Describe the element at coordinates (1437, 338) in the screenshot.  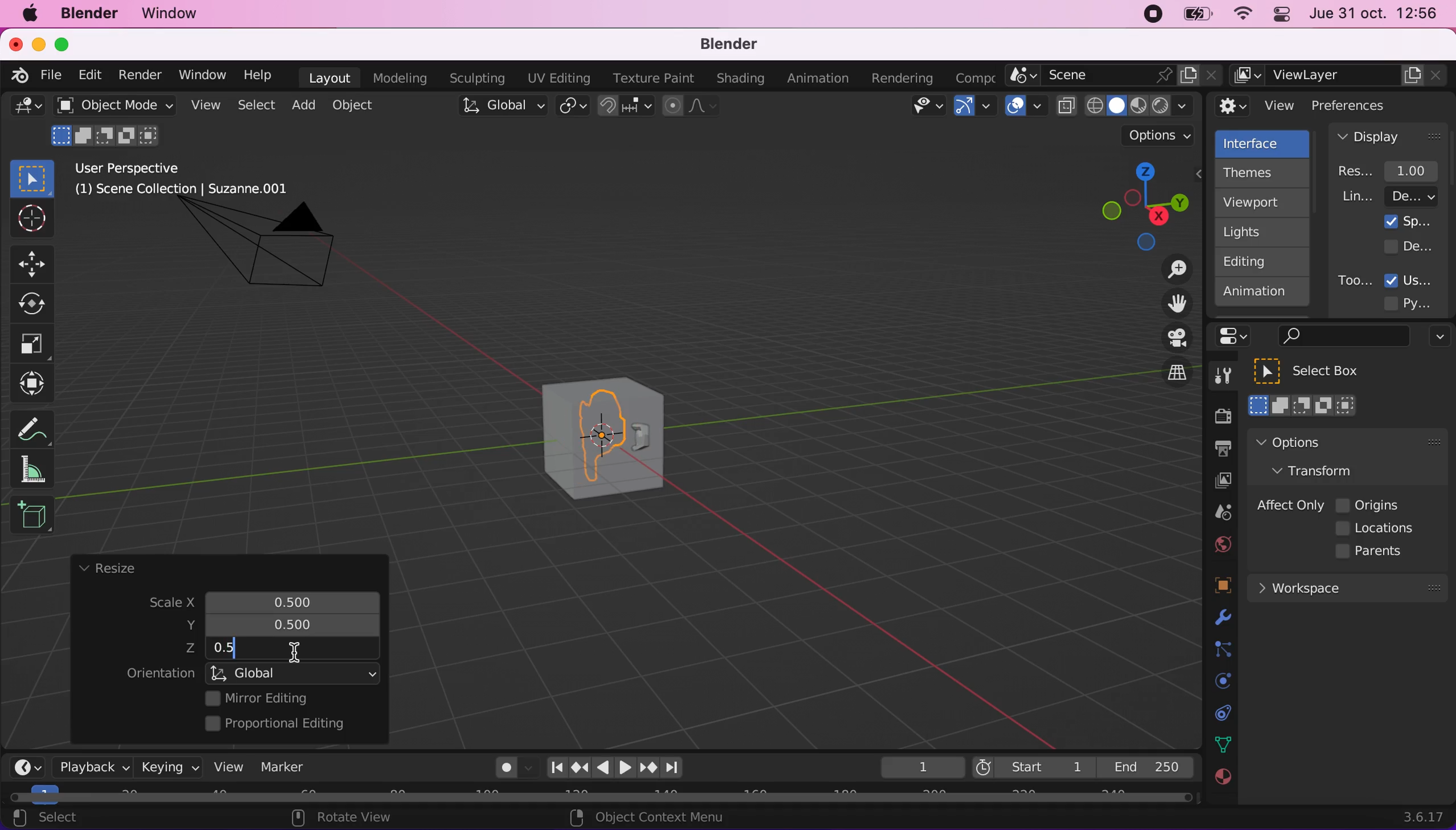
I see `options` at that location.